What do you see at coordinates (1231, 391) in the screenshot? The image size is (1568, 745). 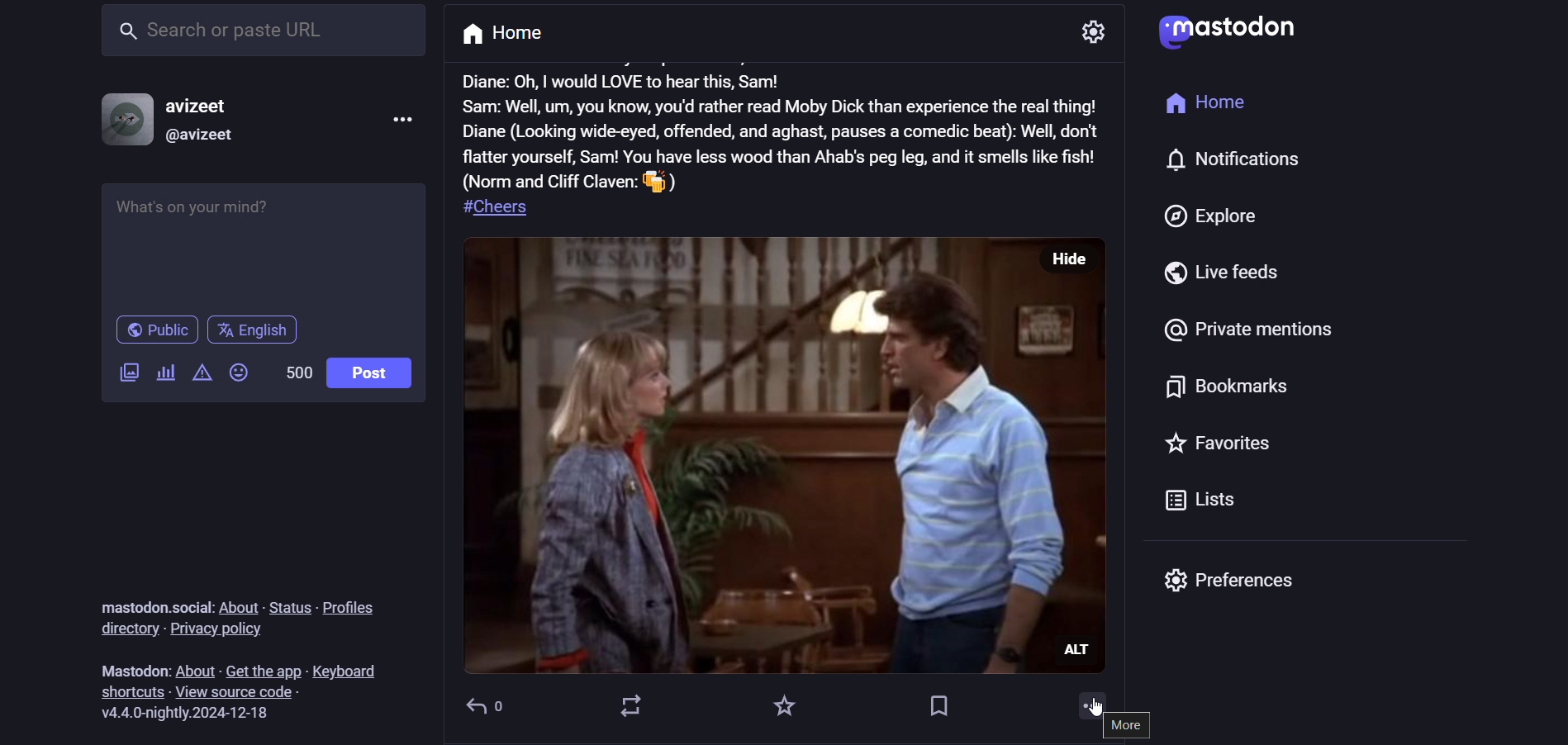 I see `bookmarks` at bounding box center [1231, 391].